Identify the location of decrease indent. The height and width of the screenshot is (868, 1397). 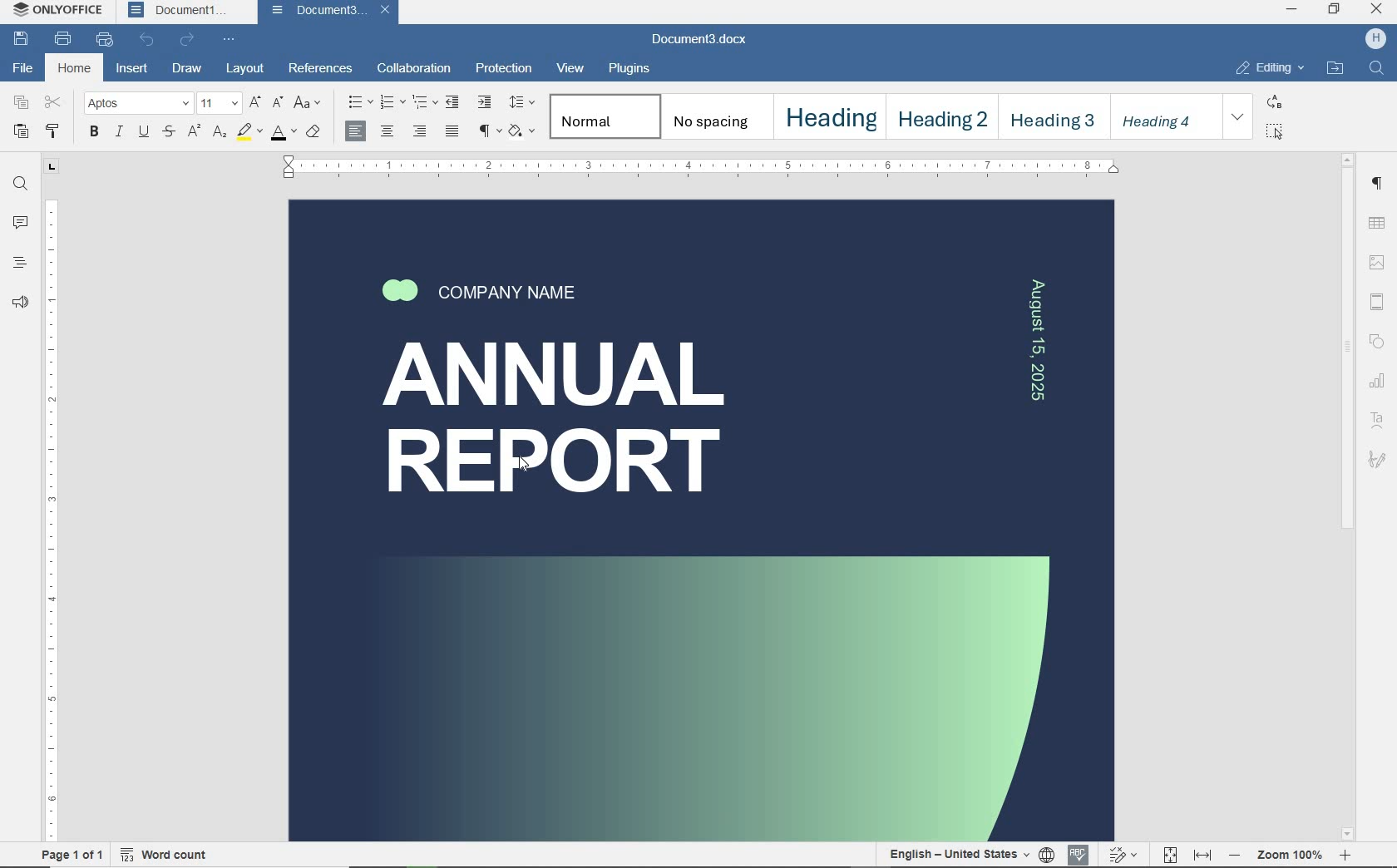
(453, 104).